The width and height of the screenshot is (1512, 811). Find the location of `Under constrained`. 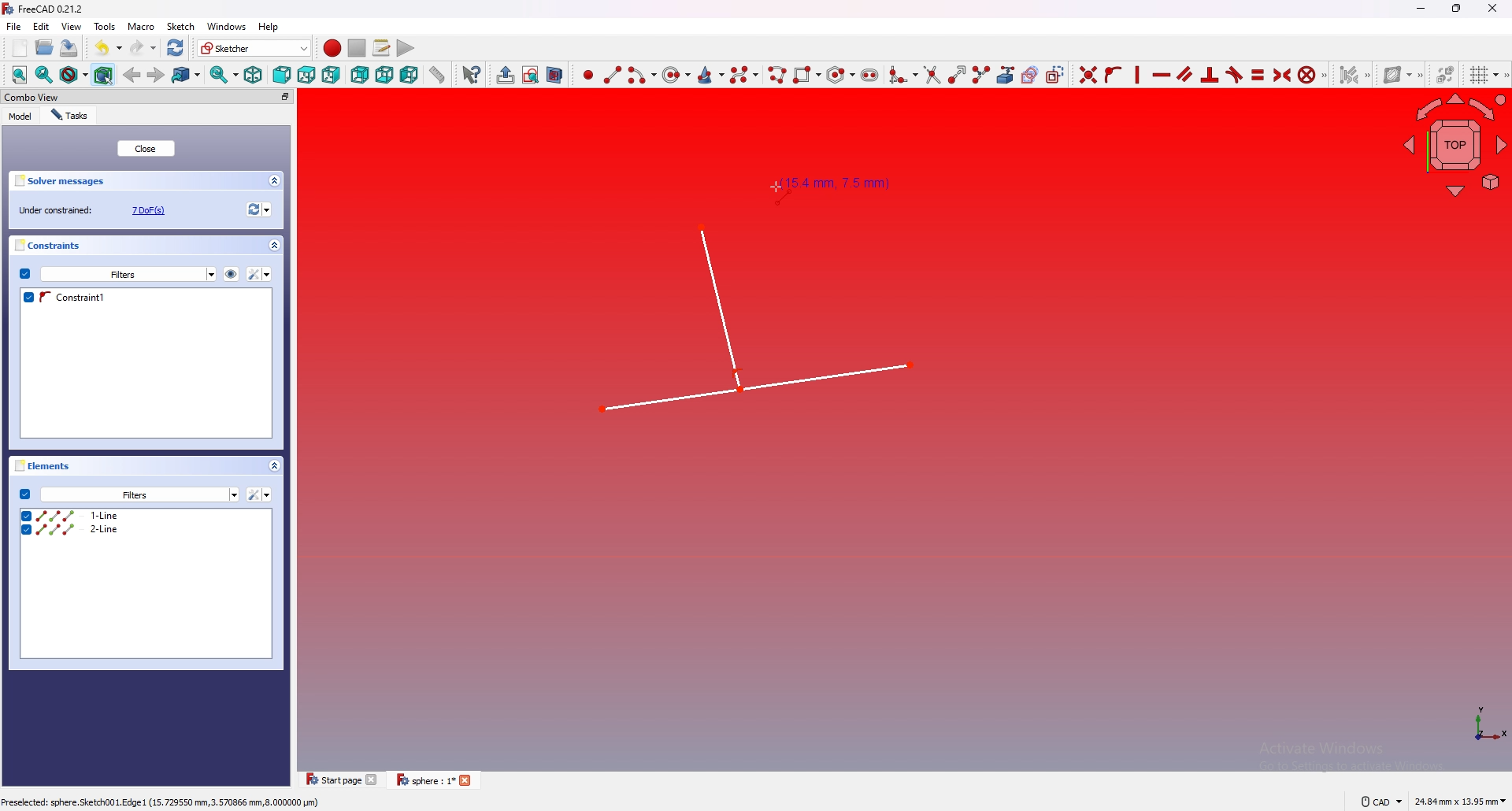

Under constrained is located at coordinates (97, 209).